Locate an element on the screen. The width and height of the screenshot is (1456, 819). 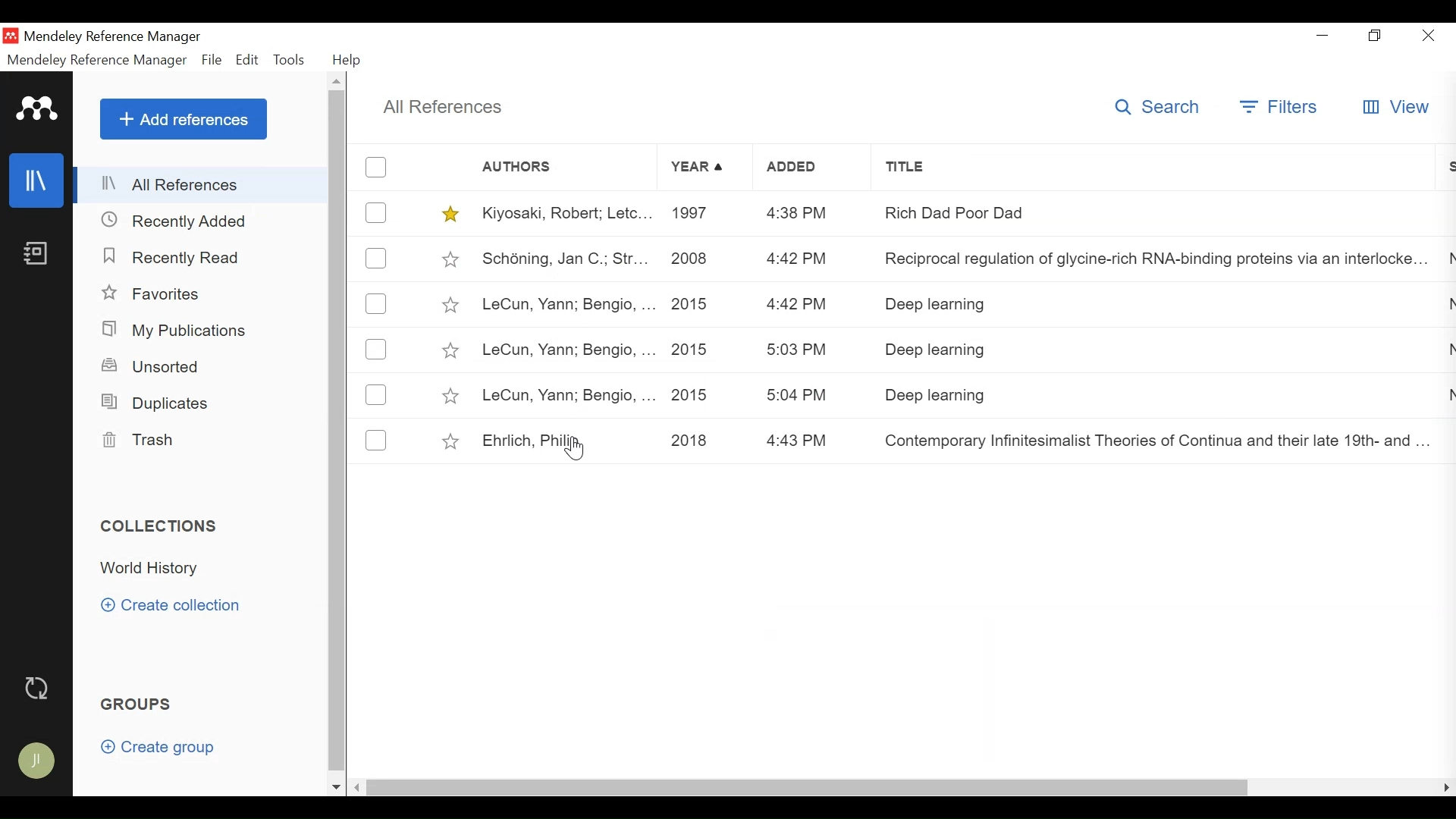
Create group is located at coordinates (158, 746).